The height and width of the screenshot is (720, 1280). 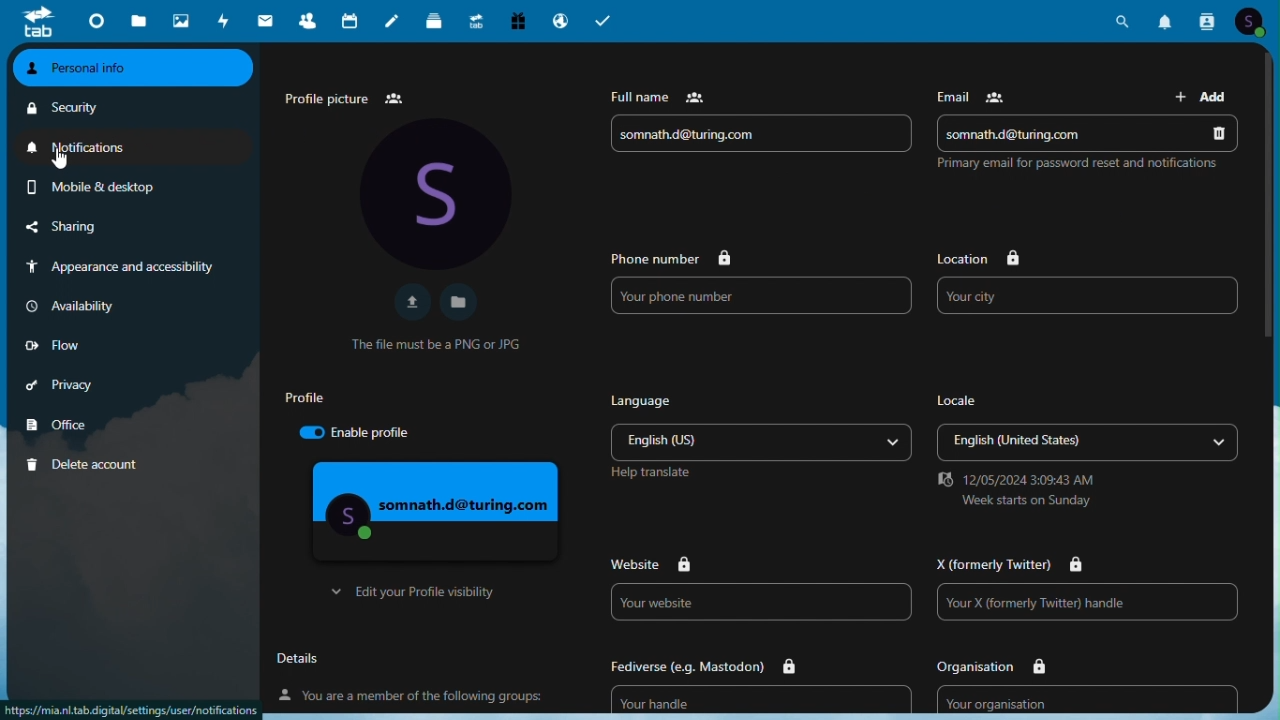 I want to click on Phone number, so click(x=761, y=262).